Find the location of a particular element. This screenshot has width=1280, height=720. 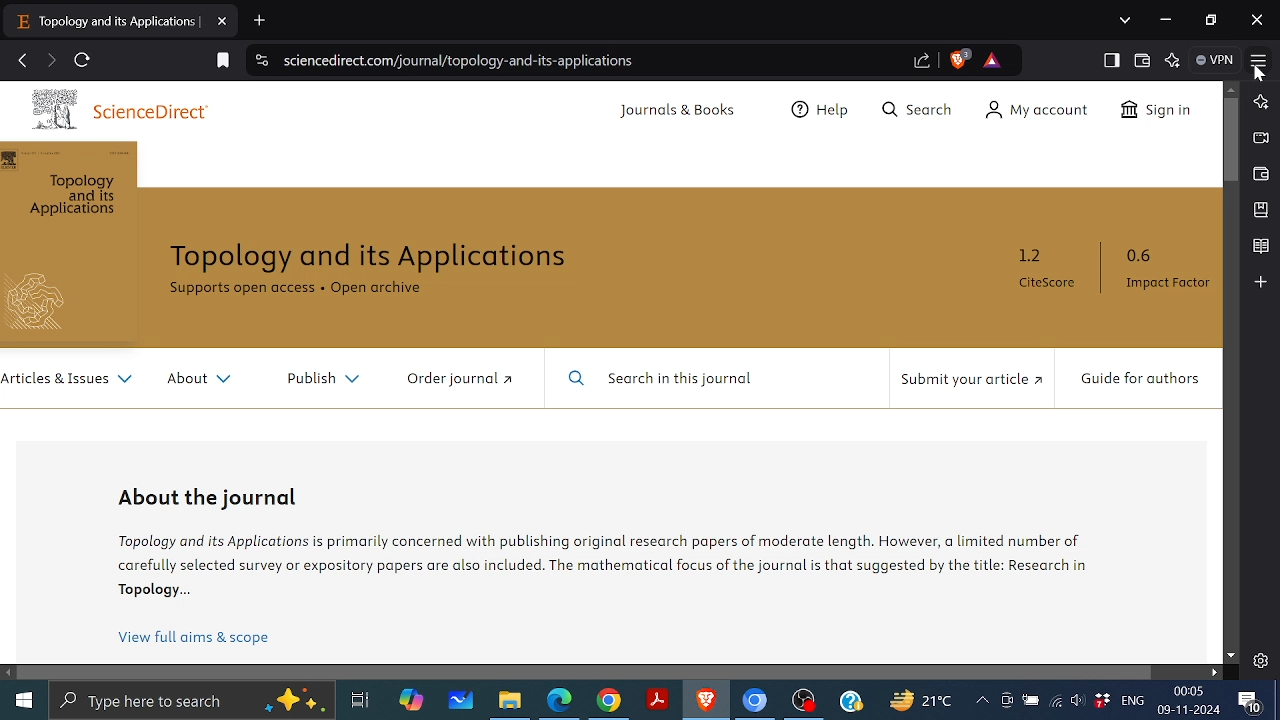

Journals & Books is located at coordinates (686, 110).